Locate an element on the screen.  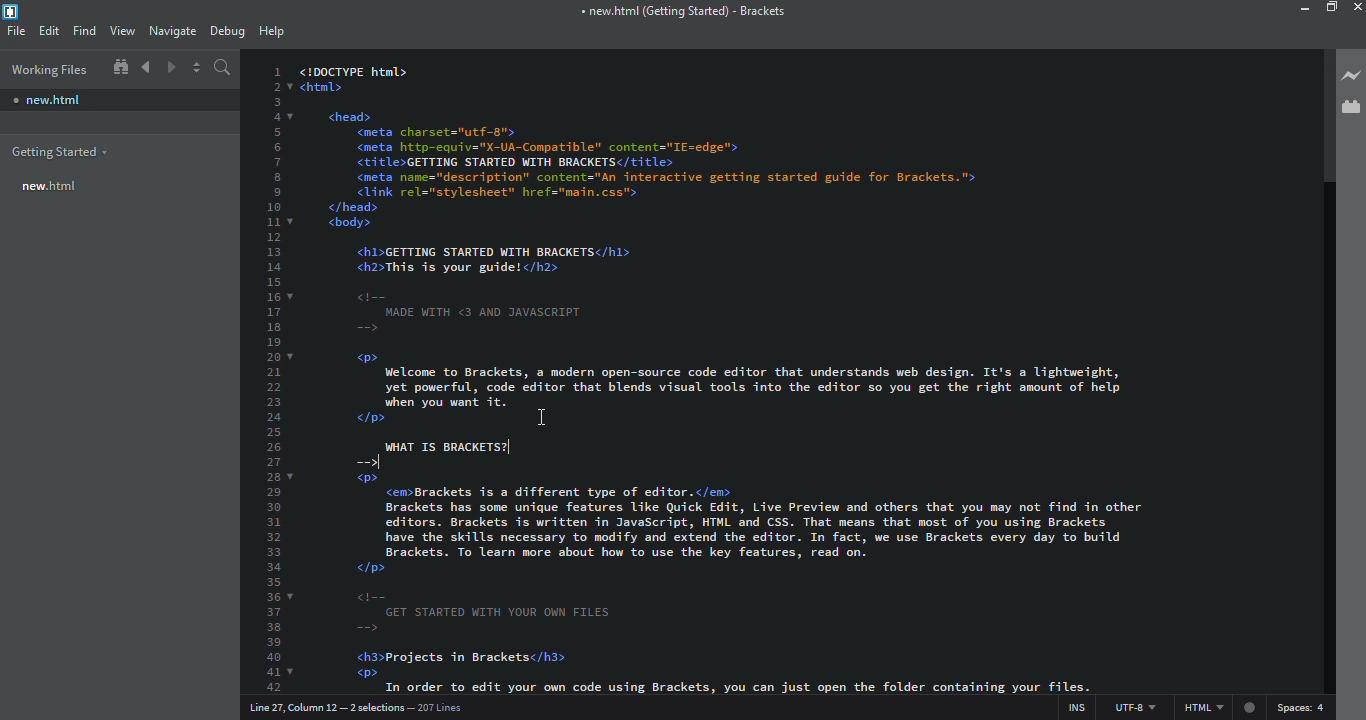
ins is located at coordinates (1075, 705).